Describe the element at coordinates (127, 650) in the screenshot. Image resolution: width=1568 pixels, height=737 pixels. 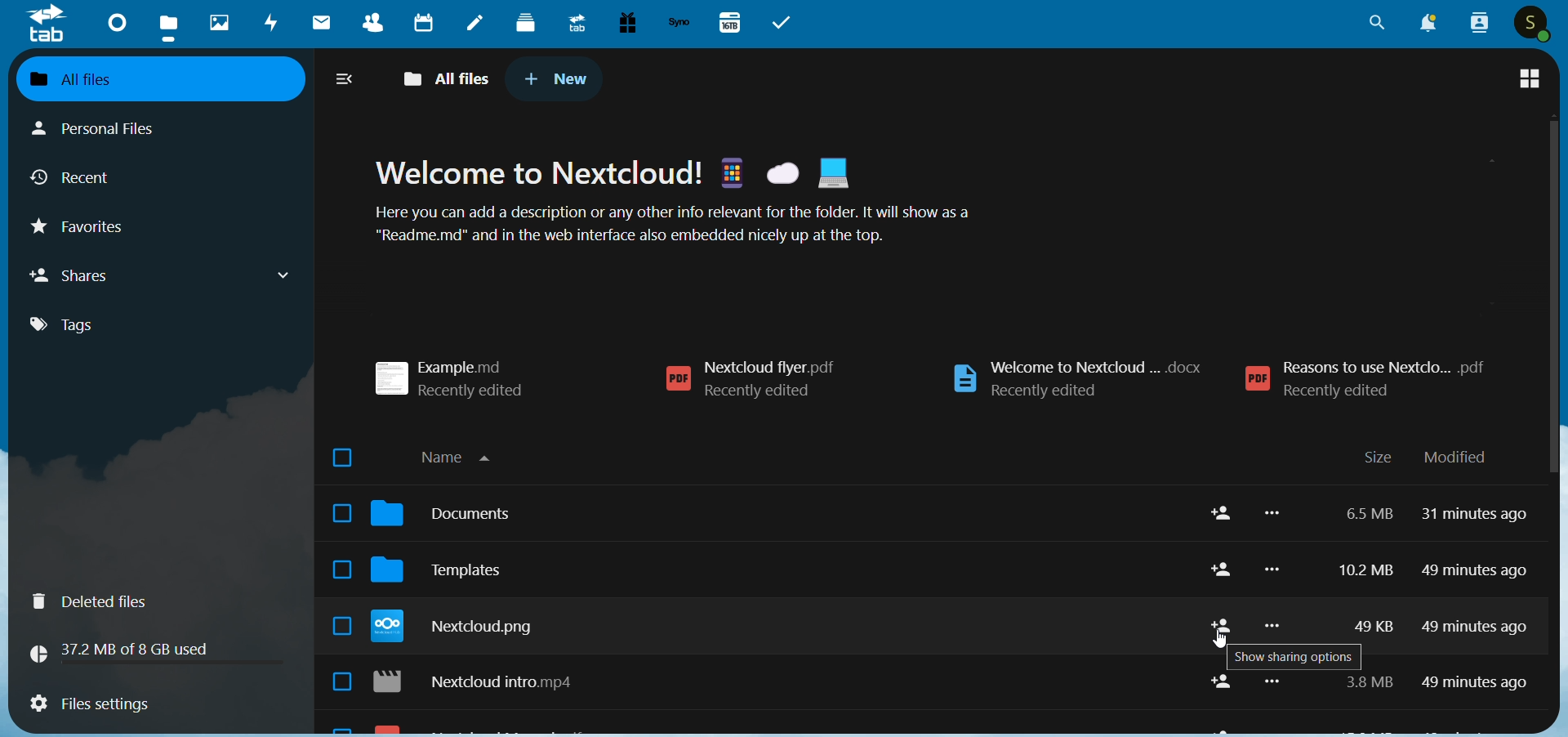
I see `storage` at that location.